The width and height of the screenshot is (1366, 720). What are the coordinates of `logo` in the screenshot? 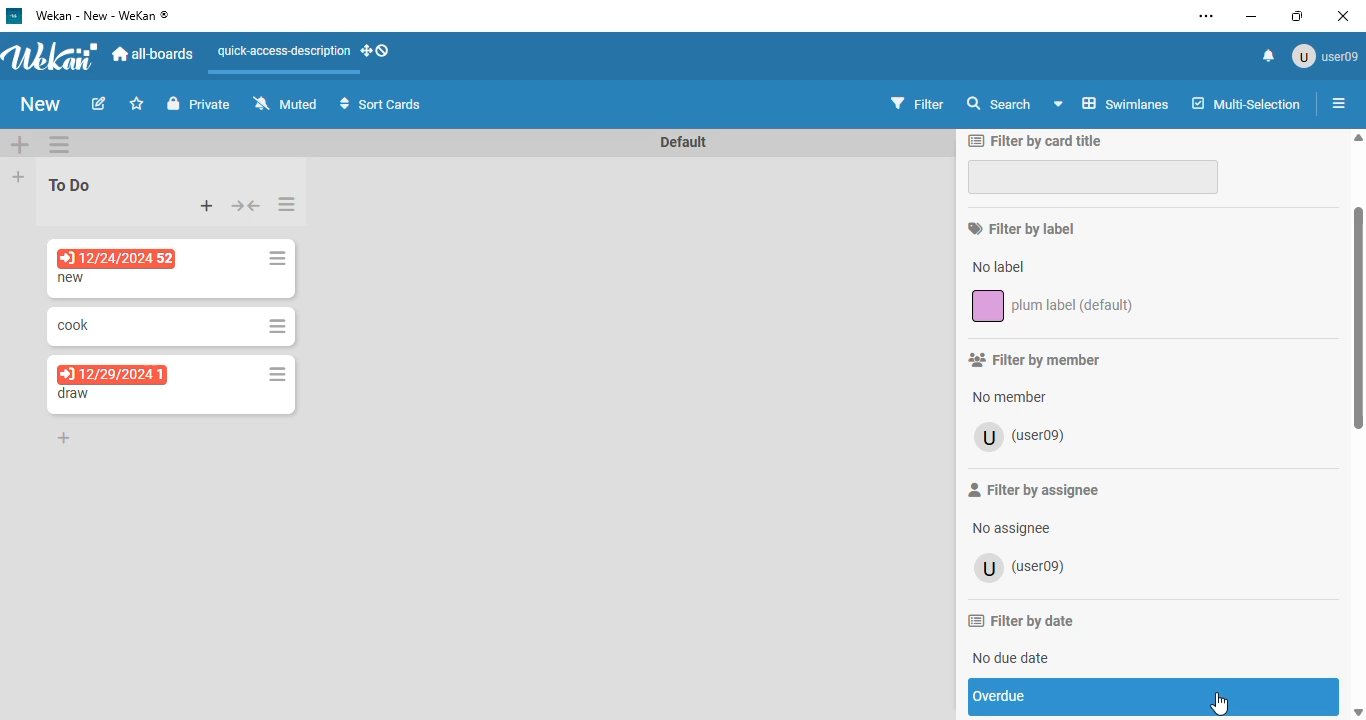 It's located at (15, 16).